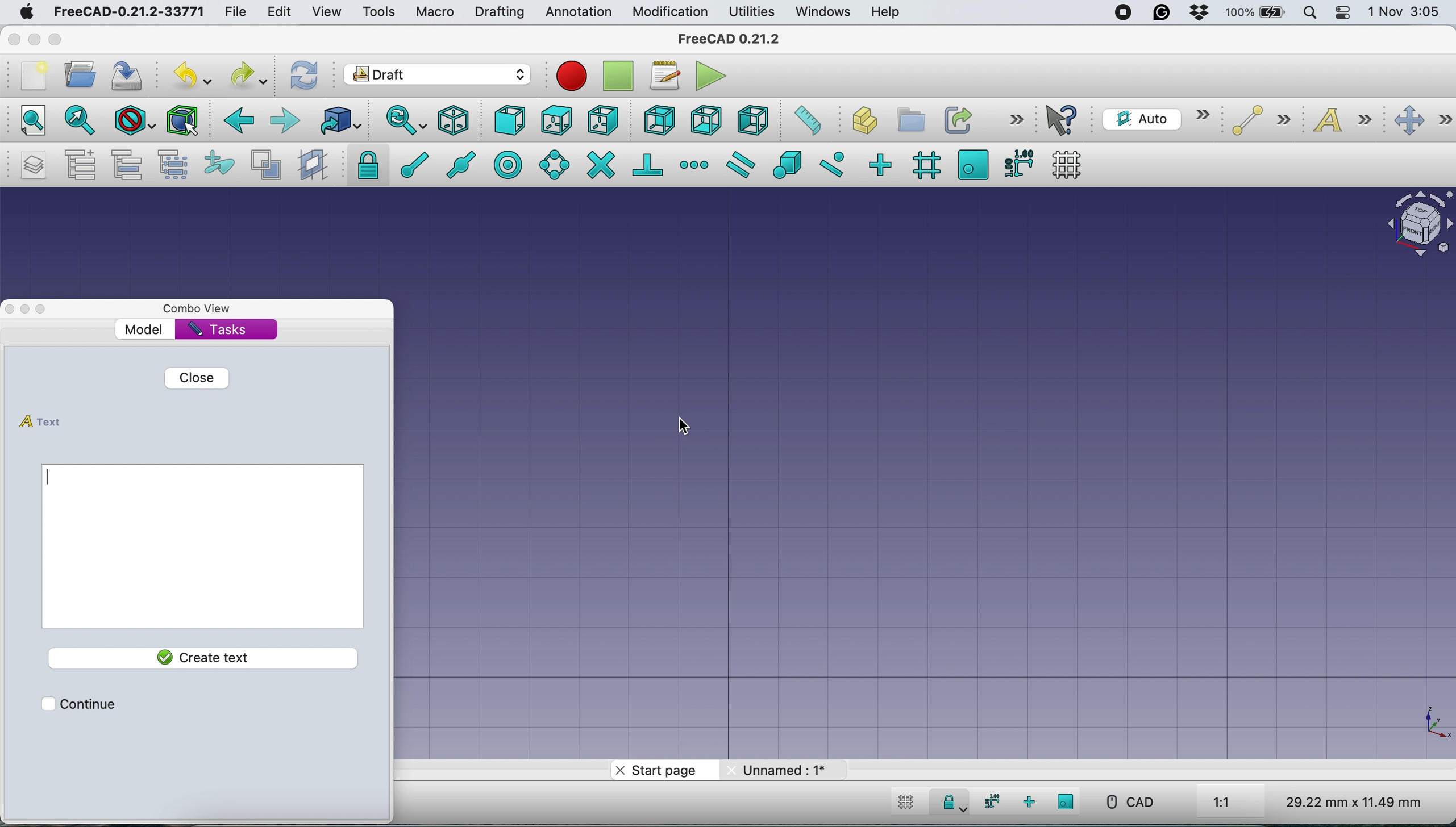  I want to click on annotation, so click(576, 13).